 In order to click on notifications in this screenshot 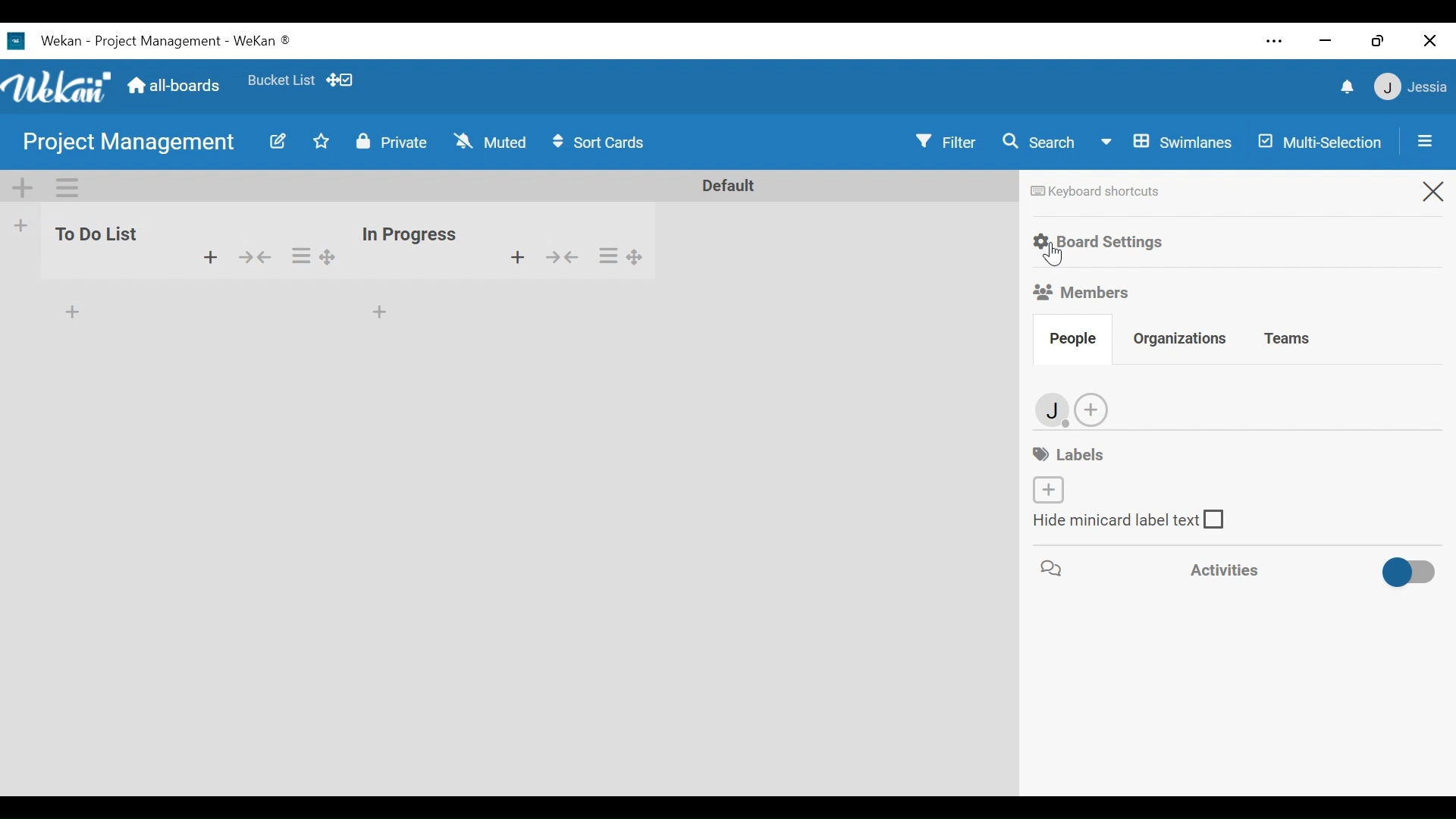, I will do `click(1345, 88)`.